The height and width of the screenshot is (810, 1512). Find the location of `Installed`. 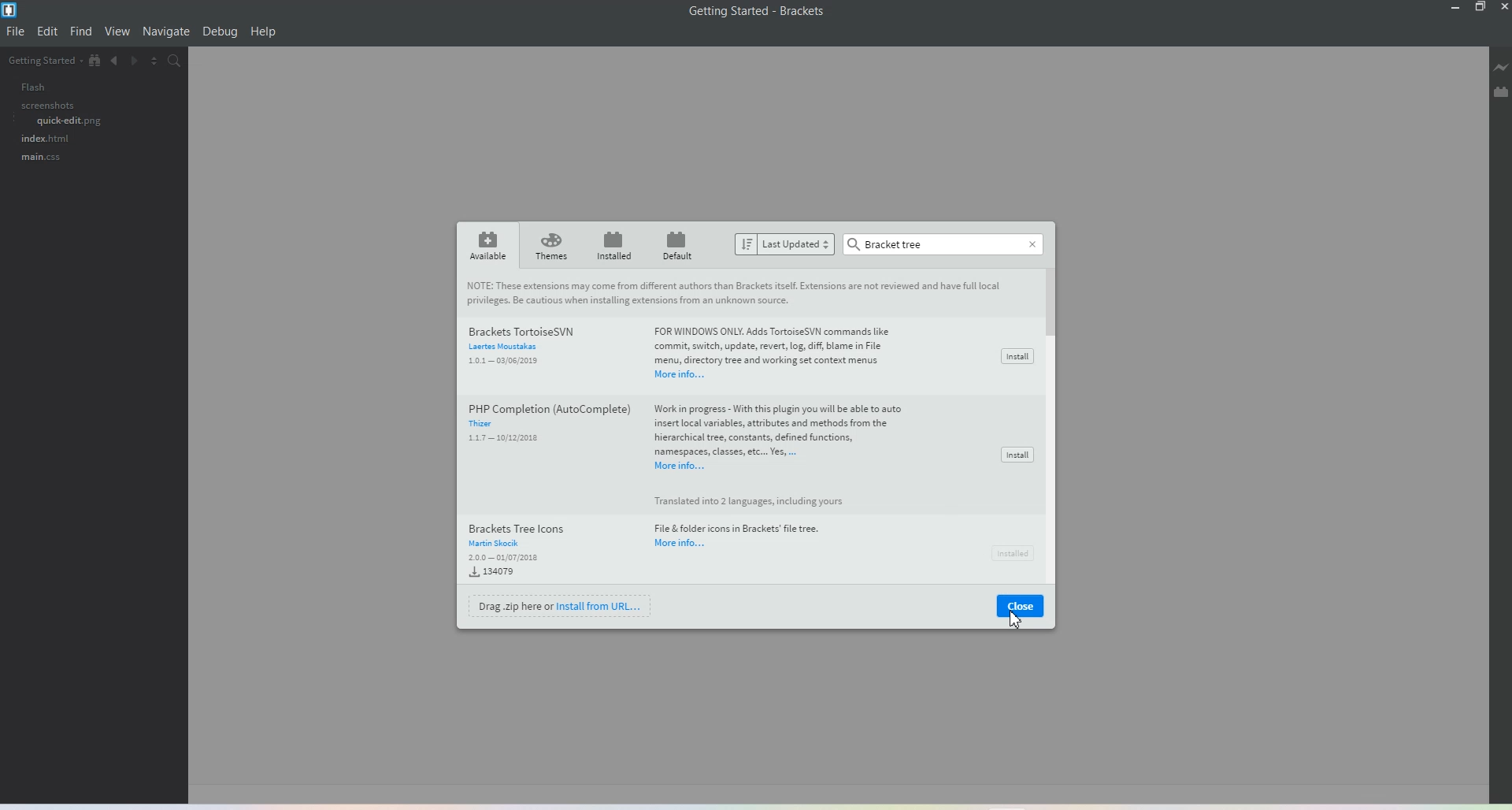

Installed is located at coordinates (614, 245).